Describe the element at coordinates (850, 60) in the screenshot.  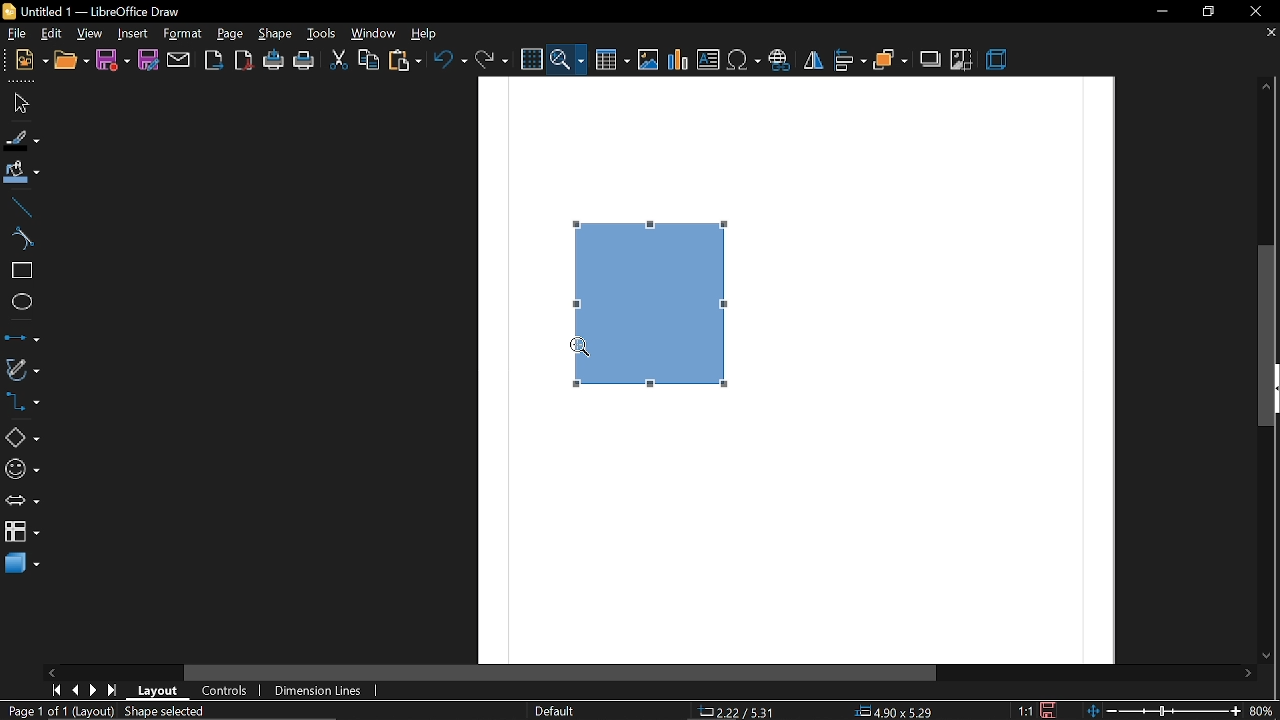
I see `align` at that location.